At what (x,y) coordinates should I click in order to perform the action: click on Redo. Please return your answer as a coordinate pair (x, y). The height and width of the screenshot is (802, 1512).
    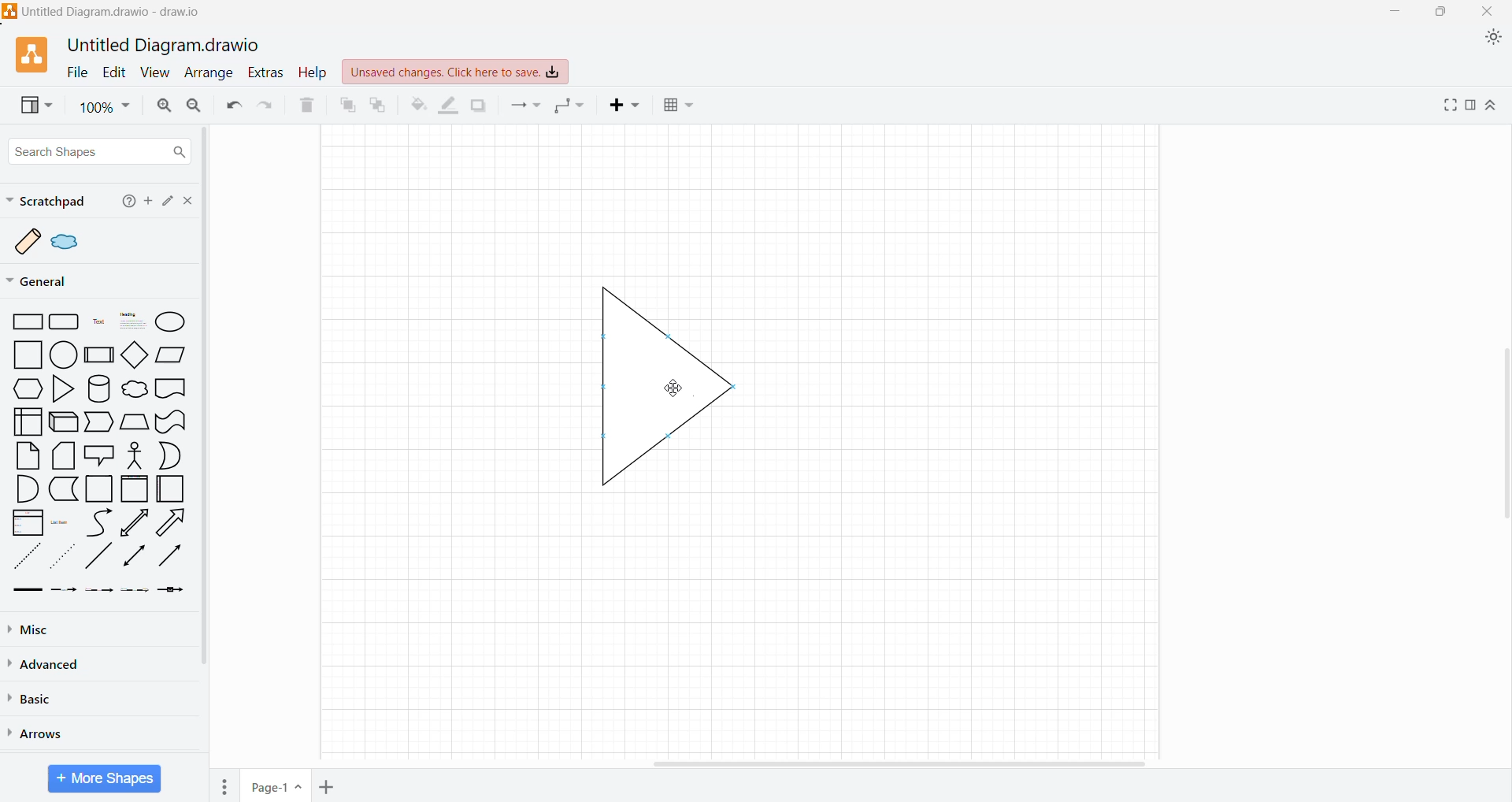
    Looking at the image, I should click on (266, 106).